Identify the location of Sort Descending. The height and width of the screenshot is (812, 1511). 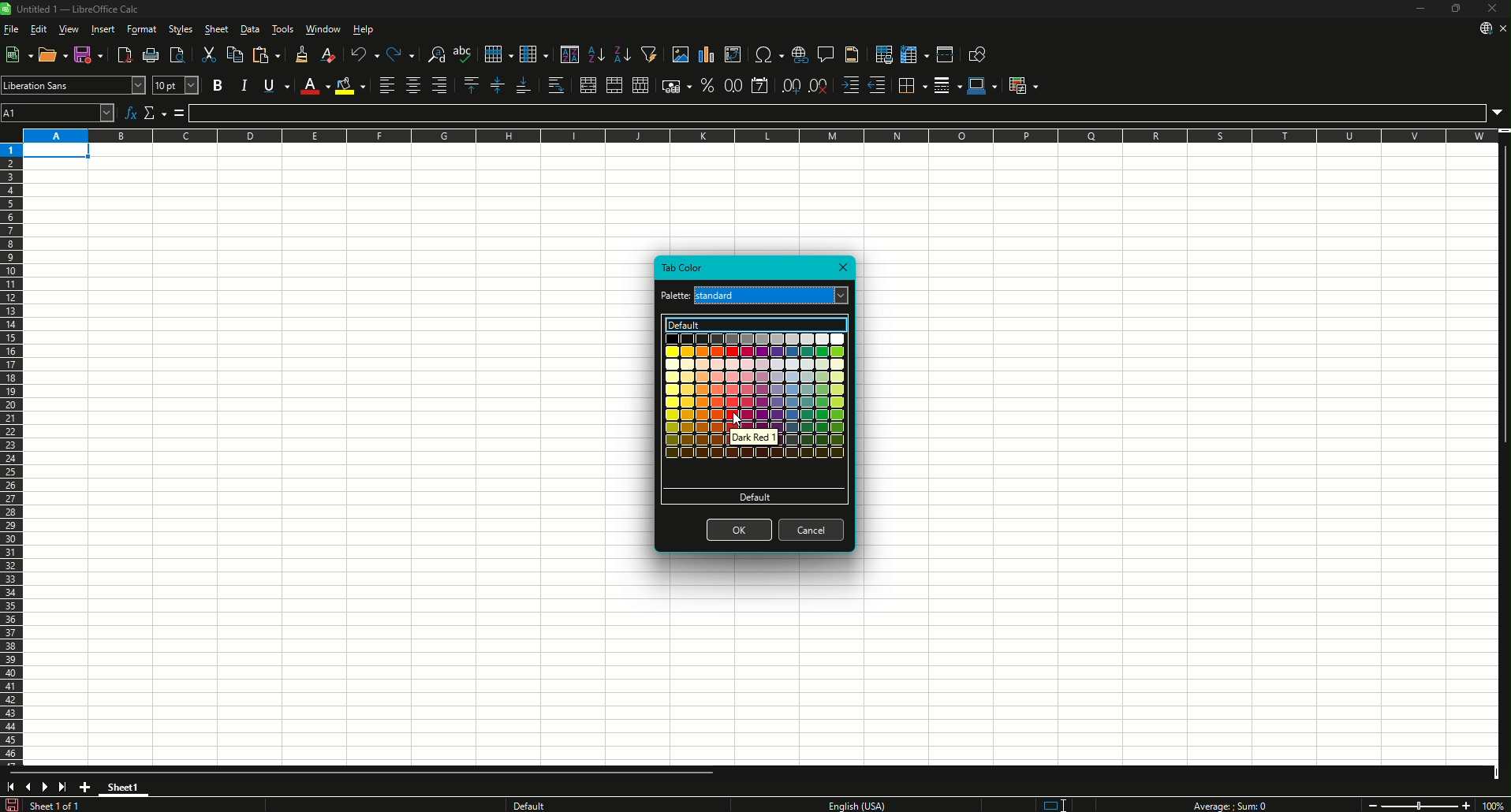
(624, 54).